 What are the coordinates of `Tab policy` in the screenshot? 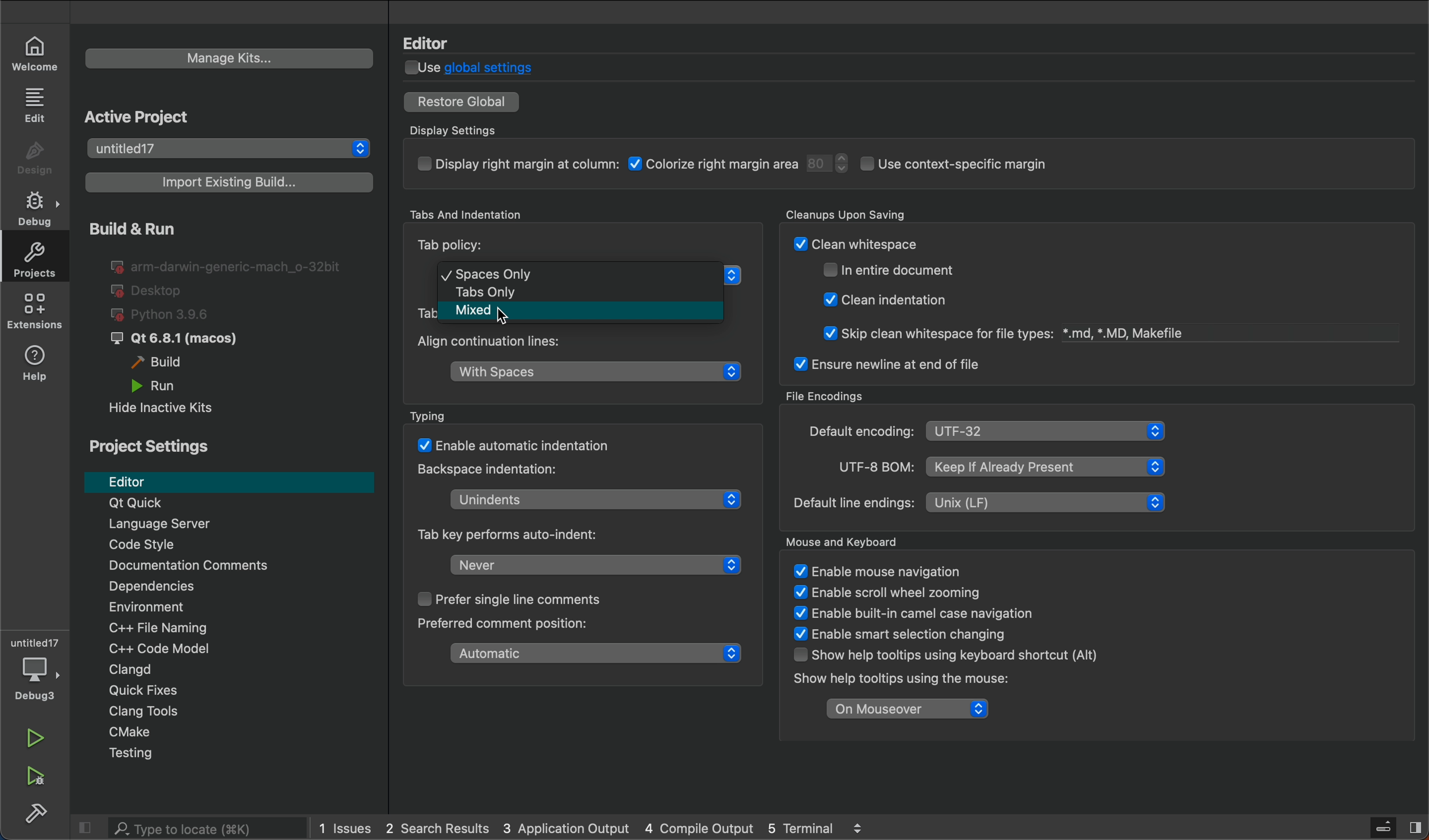 It's located at (491, 248).